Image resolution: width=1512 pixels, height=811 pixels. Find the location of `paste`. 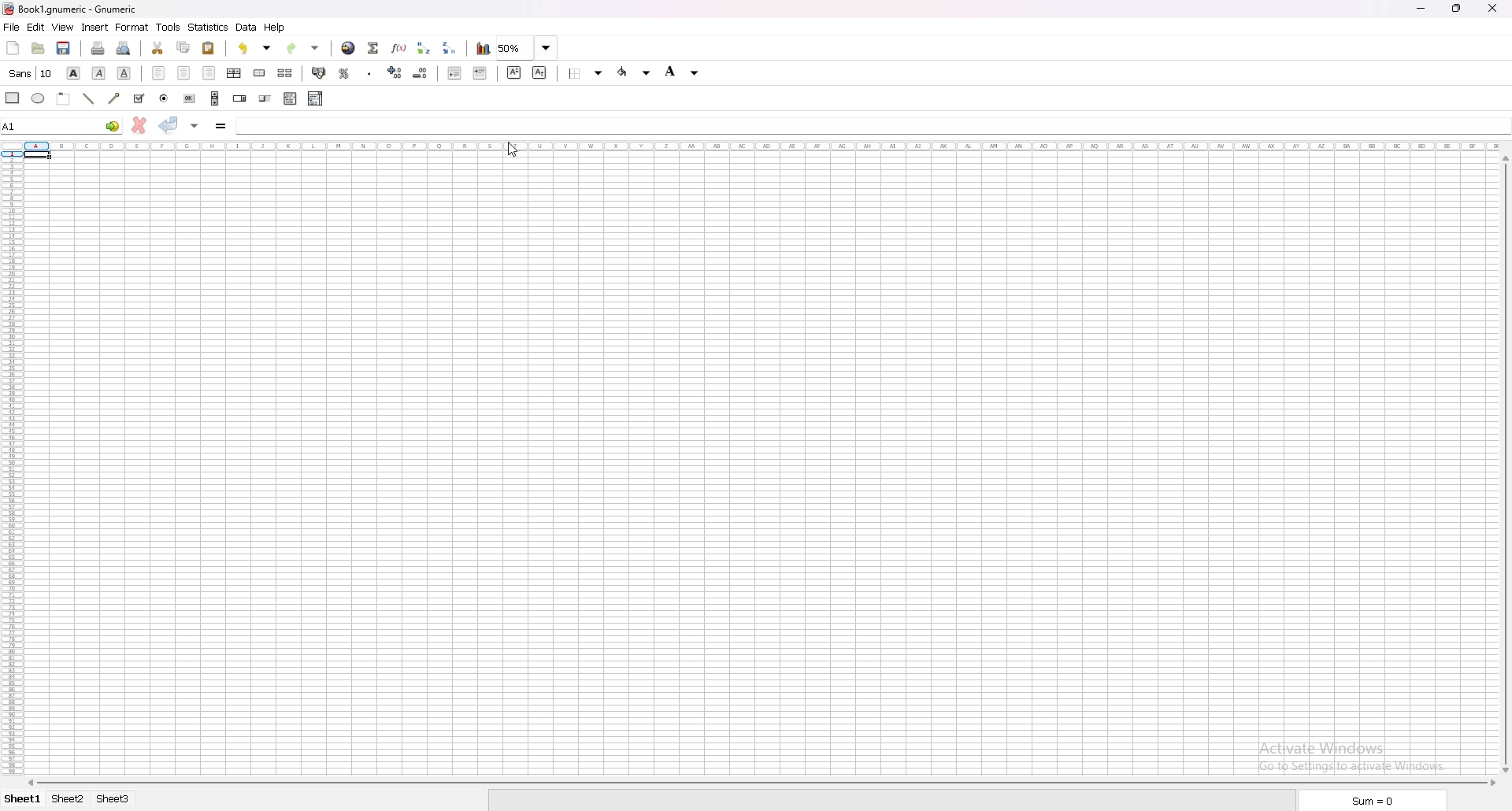

paste is located at coordinates (209, 47).